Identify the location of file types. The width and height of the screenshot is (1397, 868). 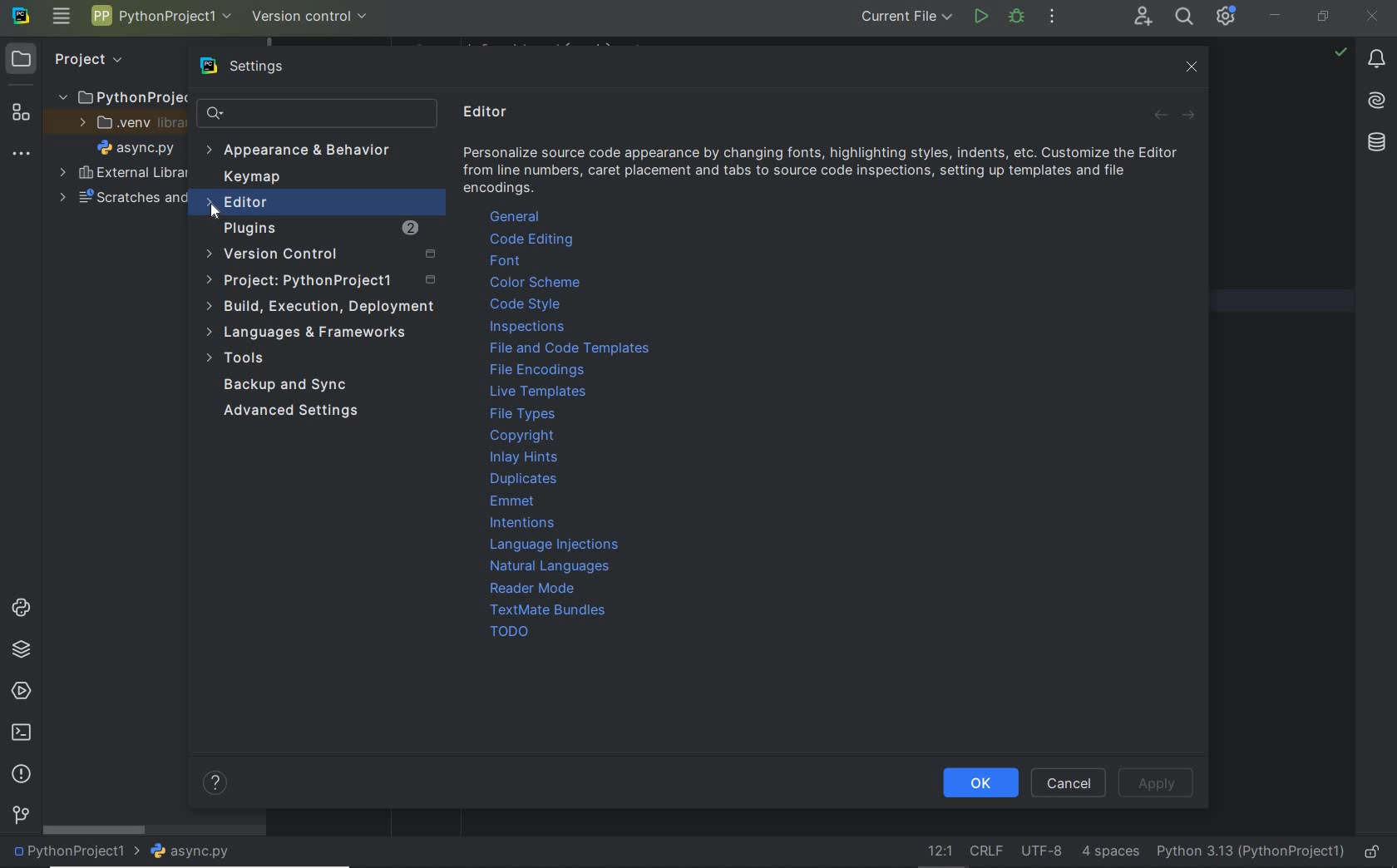
(524, 416).